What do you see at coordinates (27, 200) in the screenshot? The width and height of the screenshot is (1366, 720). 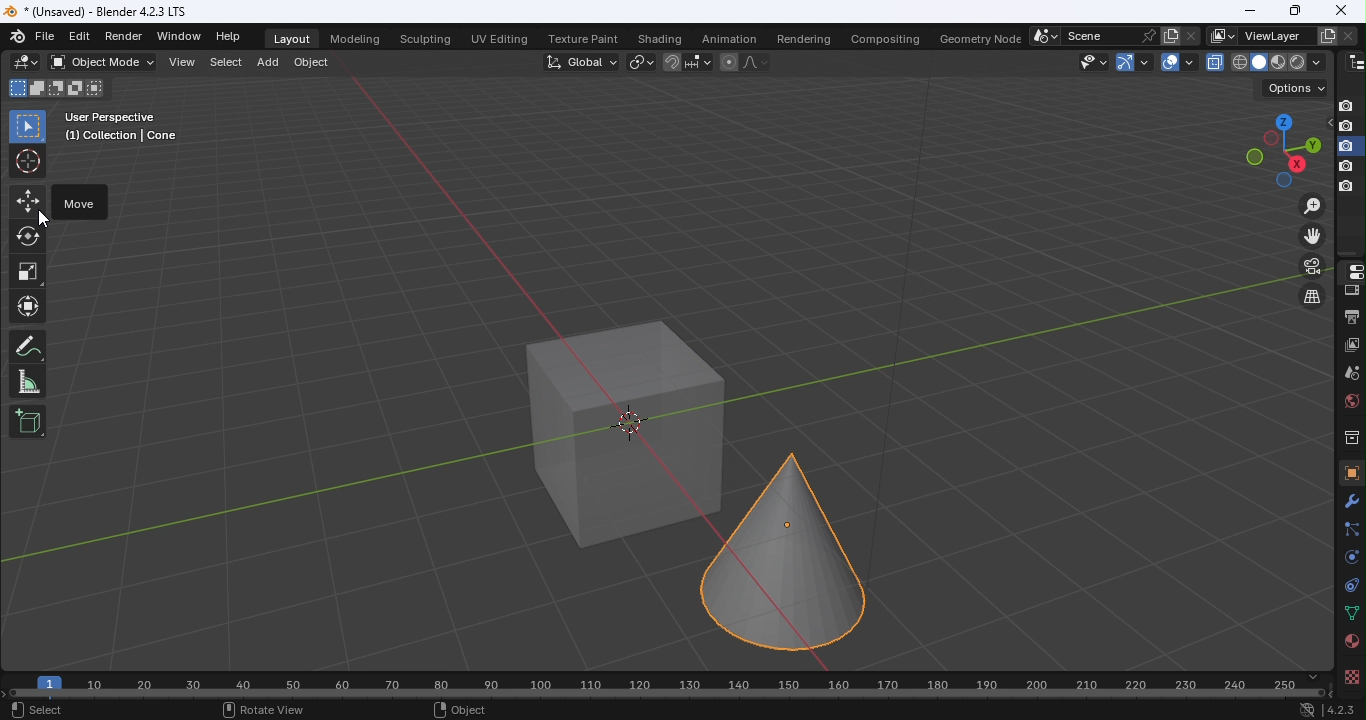 I see `Move` at bounding box center [27, 200].